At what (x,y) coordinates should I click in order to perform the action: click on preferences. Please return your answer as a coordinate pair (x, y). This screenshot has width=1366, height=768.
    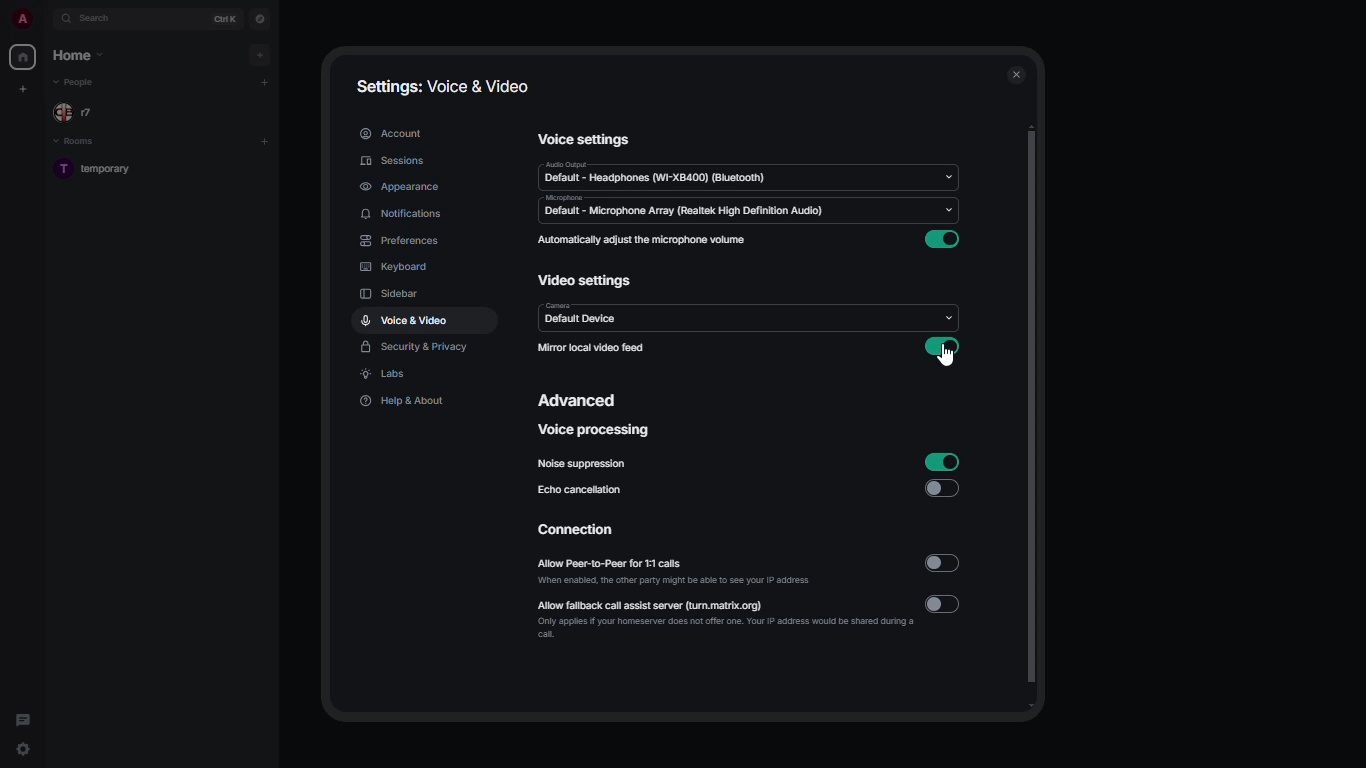
    Looking at the image, I should click on (404, 241).